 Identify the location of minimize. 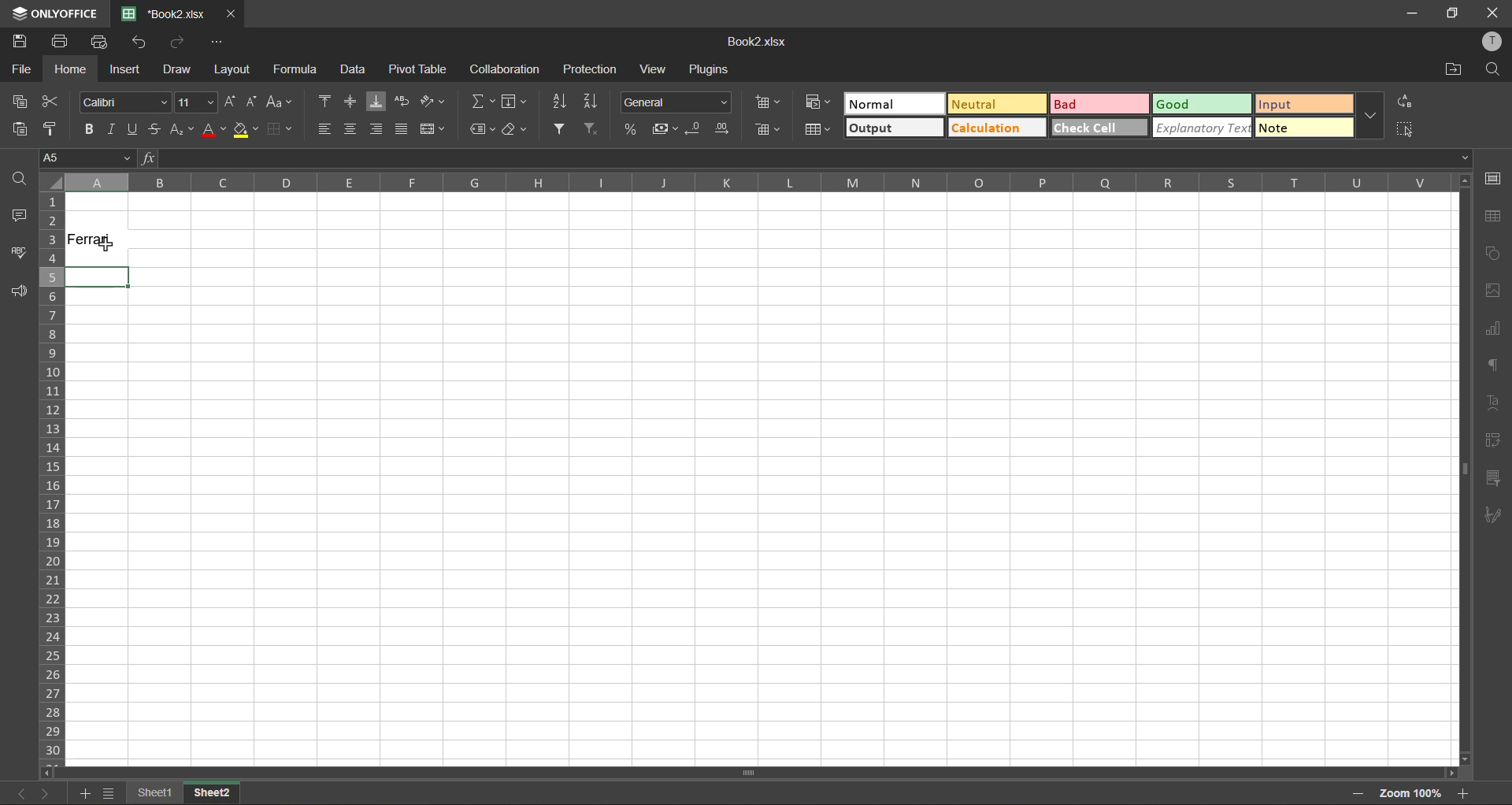
(1413, 13).